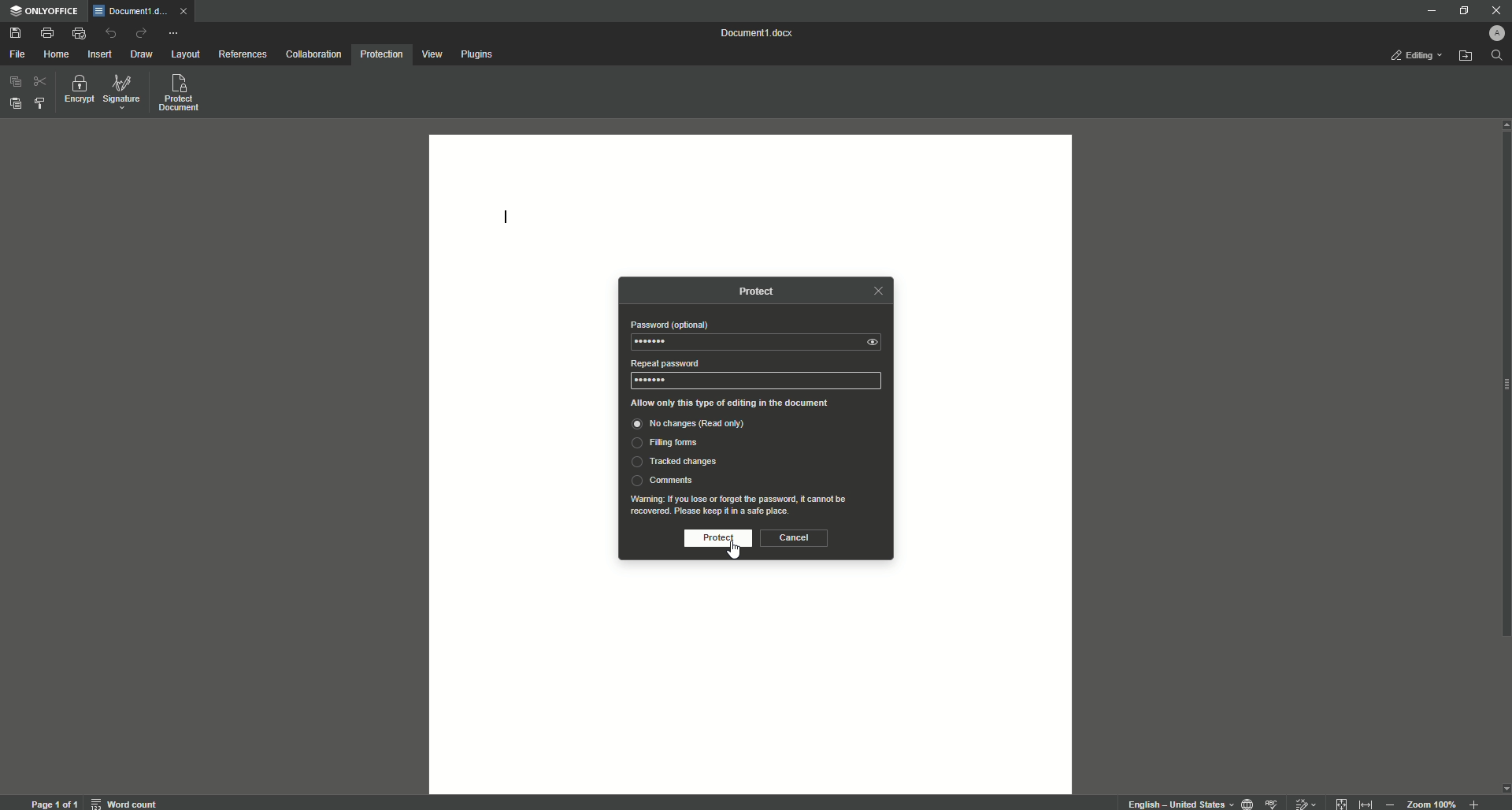  I want to click on Cancel, so click(794, 537).